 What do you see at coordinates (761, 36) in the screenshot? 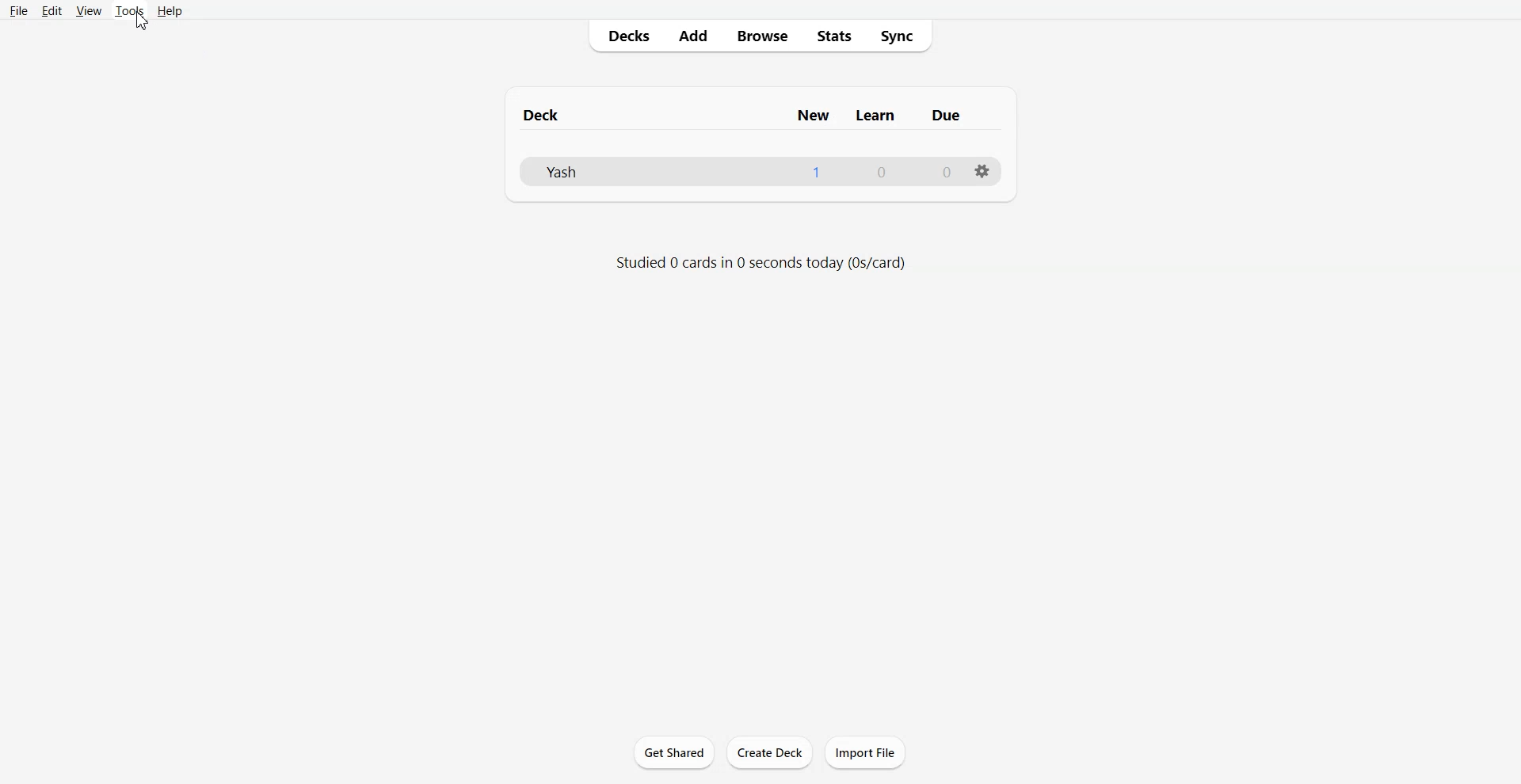
I see `Browser` at bounding box center [761, 36].